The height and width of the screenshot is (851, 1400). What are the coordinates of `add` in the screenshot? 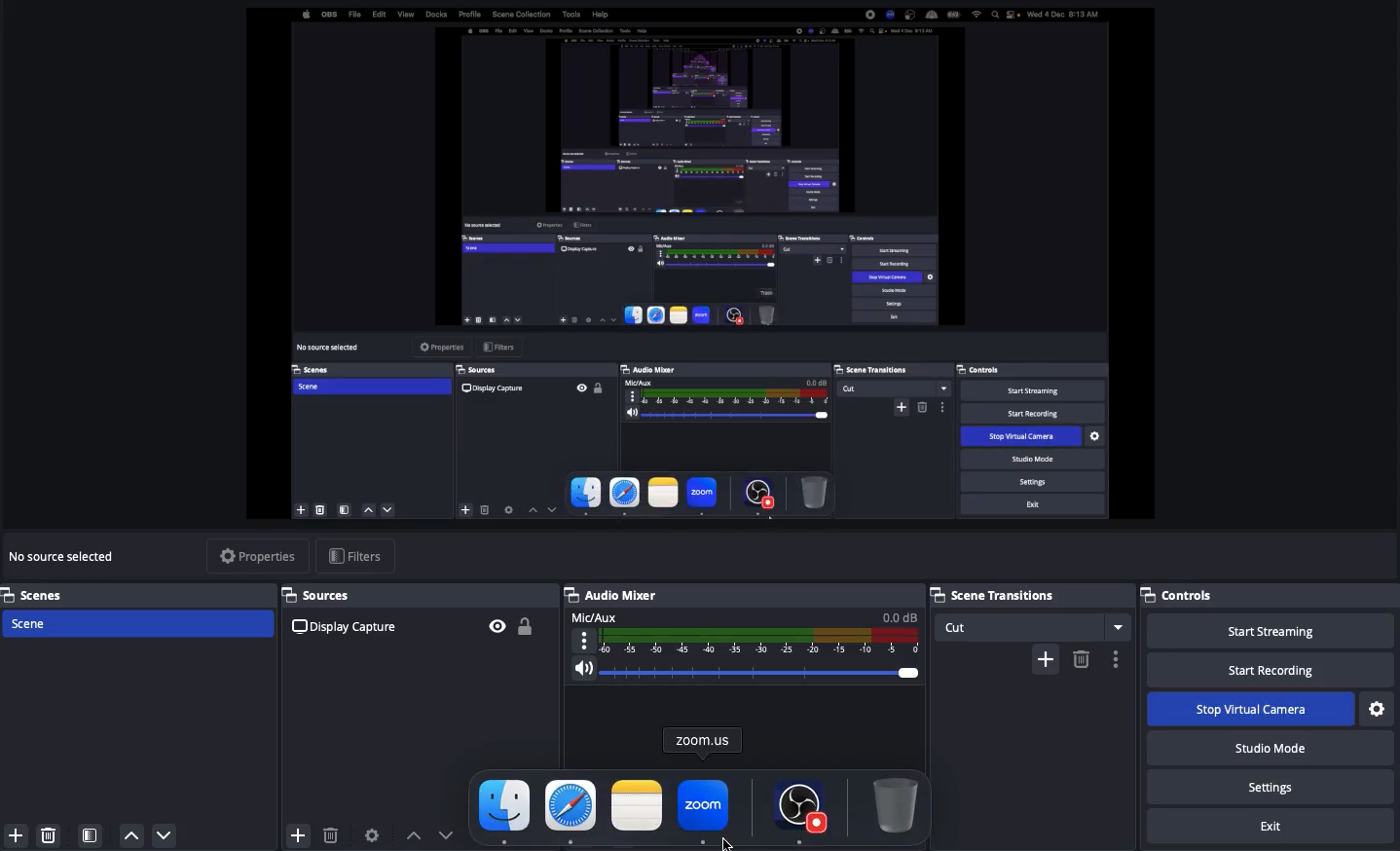 It's located at (1039, 657).